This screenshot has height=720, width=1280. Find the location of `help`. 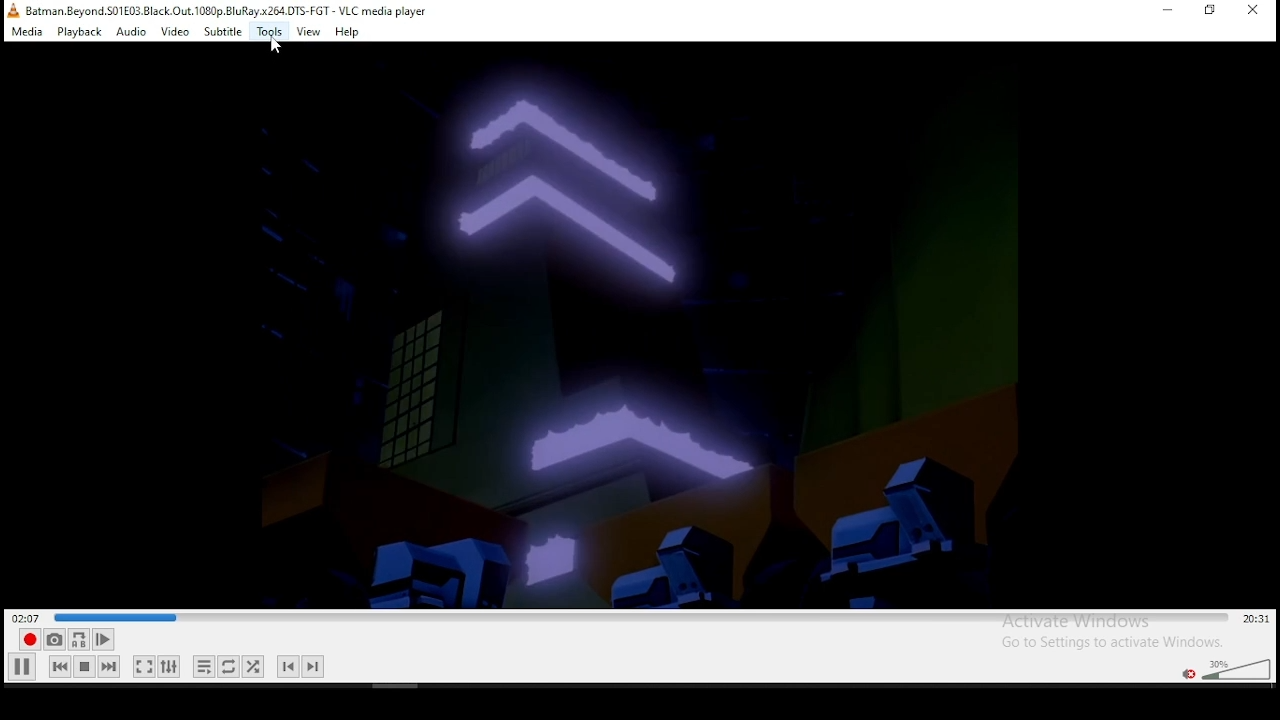

help is located at coordinates (347, 32).